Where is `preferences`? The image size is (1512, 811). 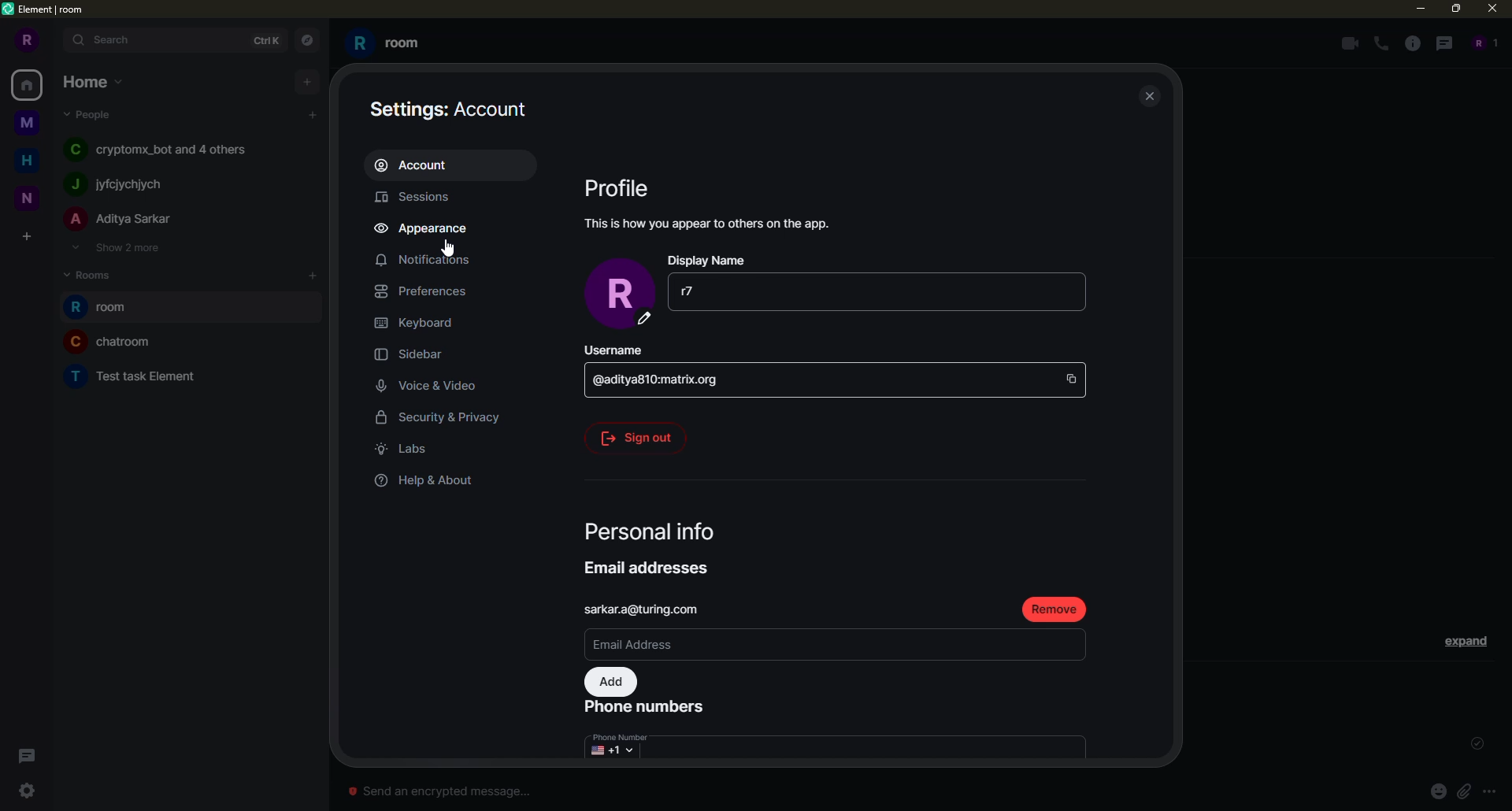 preferences is located at coordinates (428, 291).